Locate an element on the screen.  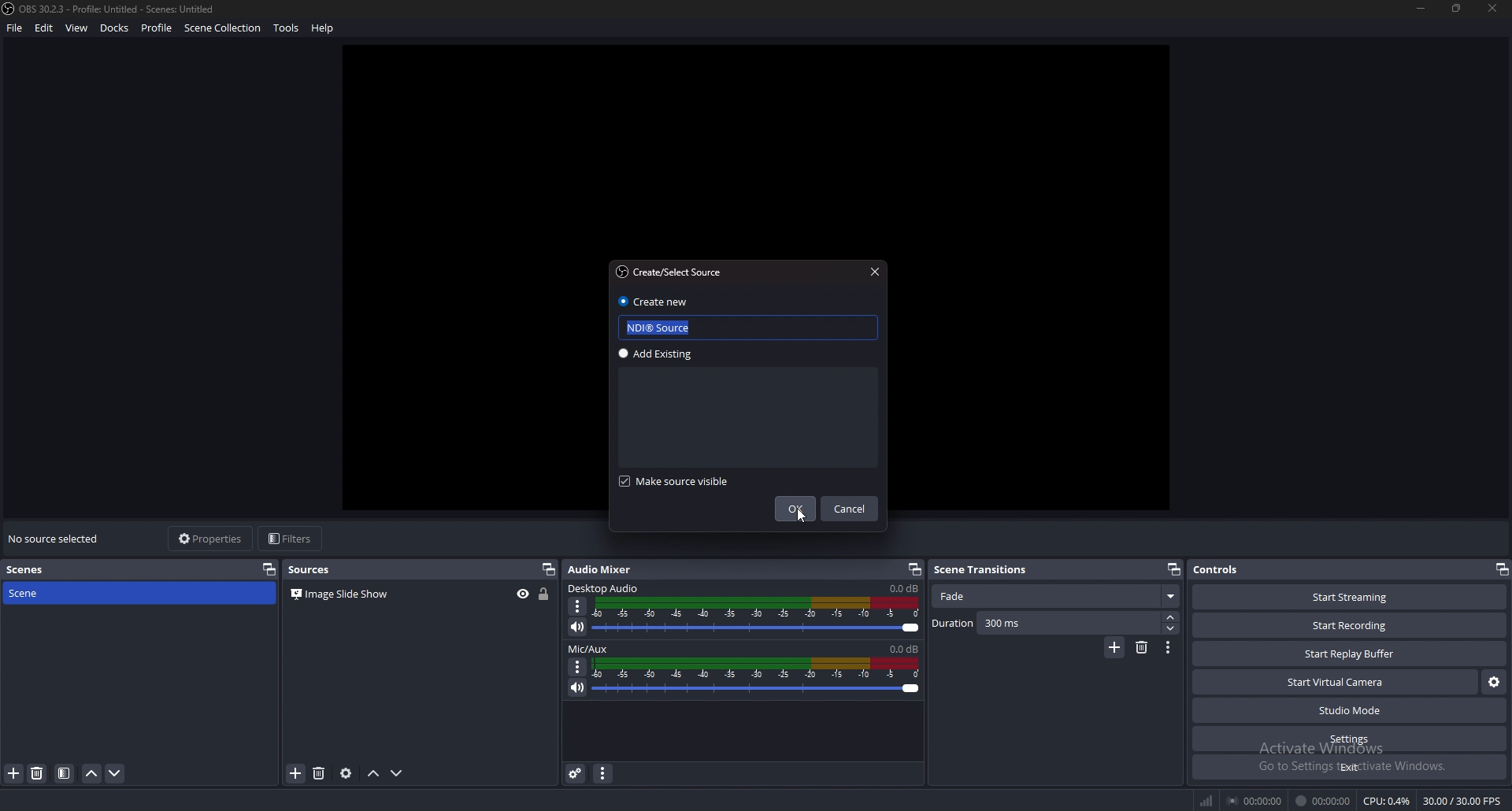
remove source is located at coordinates (321, 772).